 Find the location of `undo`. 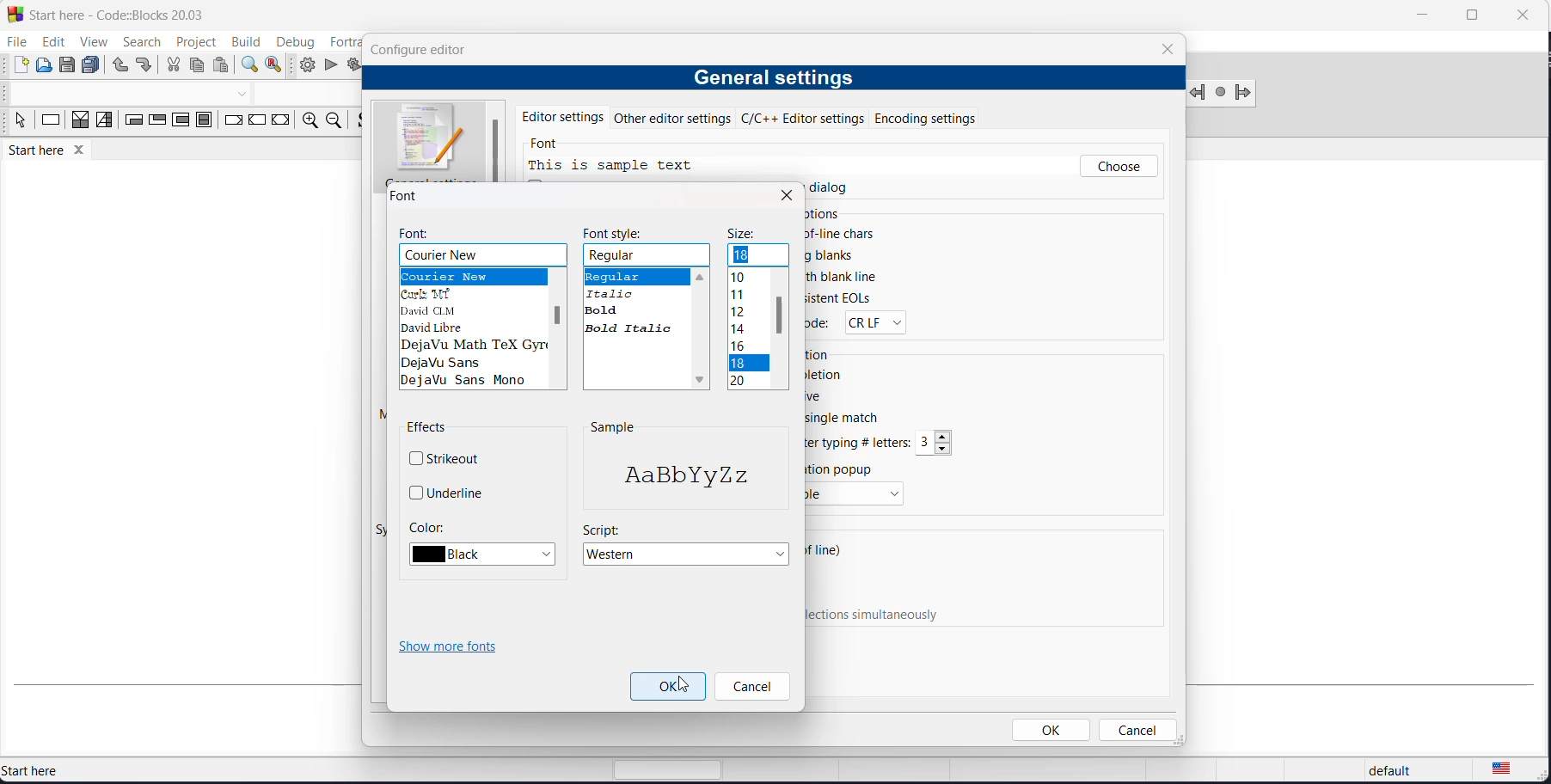

undo is located at coordinates (119, 66).